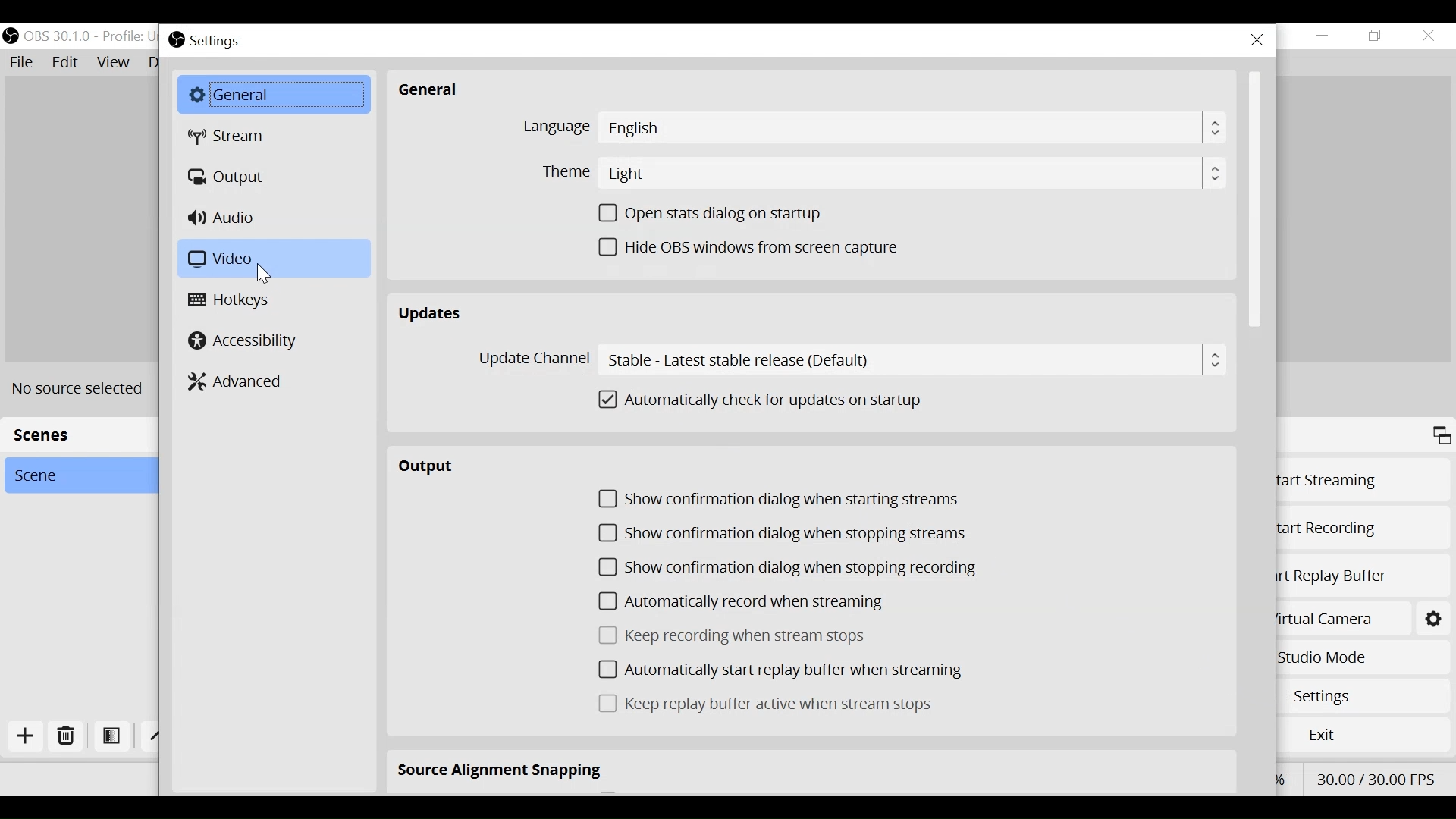 The width and height of the screenshot is (1456, 819). Describe the element at coordinates (750, 602) in the screenshot. I see `(un)check automatically record when streaming` at that location.